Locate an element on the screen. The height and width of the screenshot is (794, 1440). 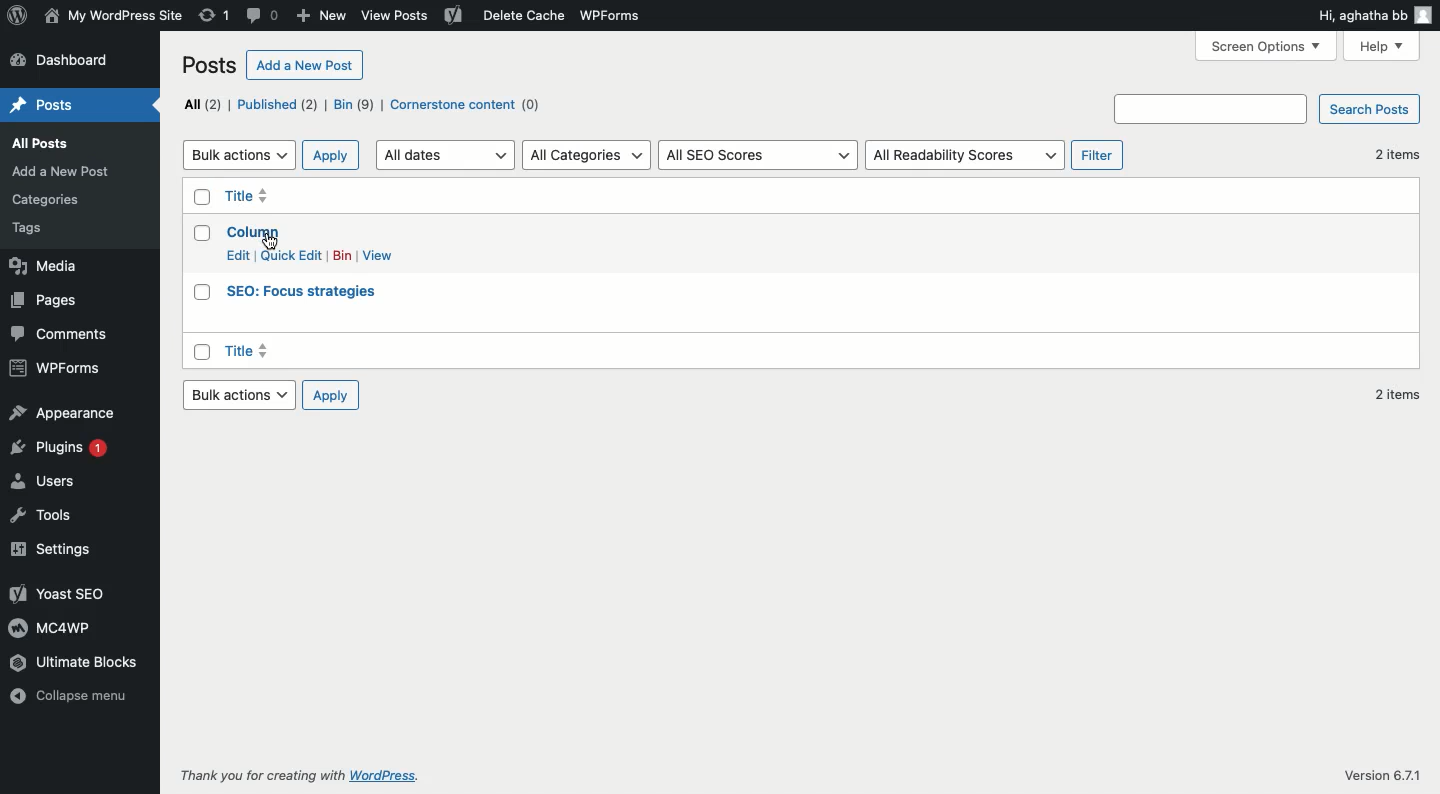
Categories is located at coordinates (72, 201).